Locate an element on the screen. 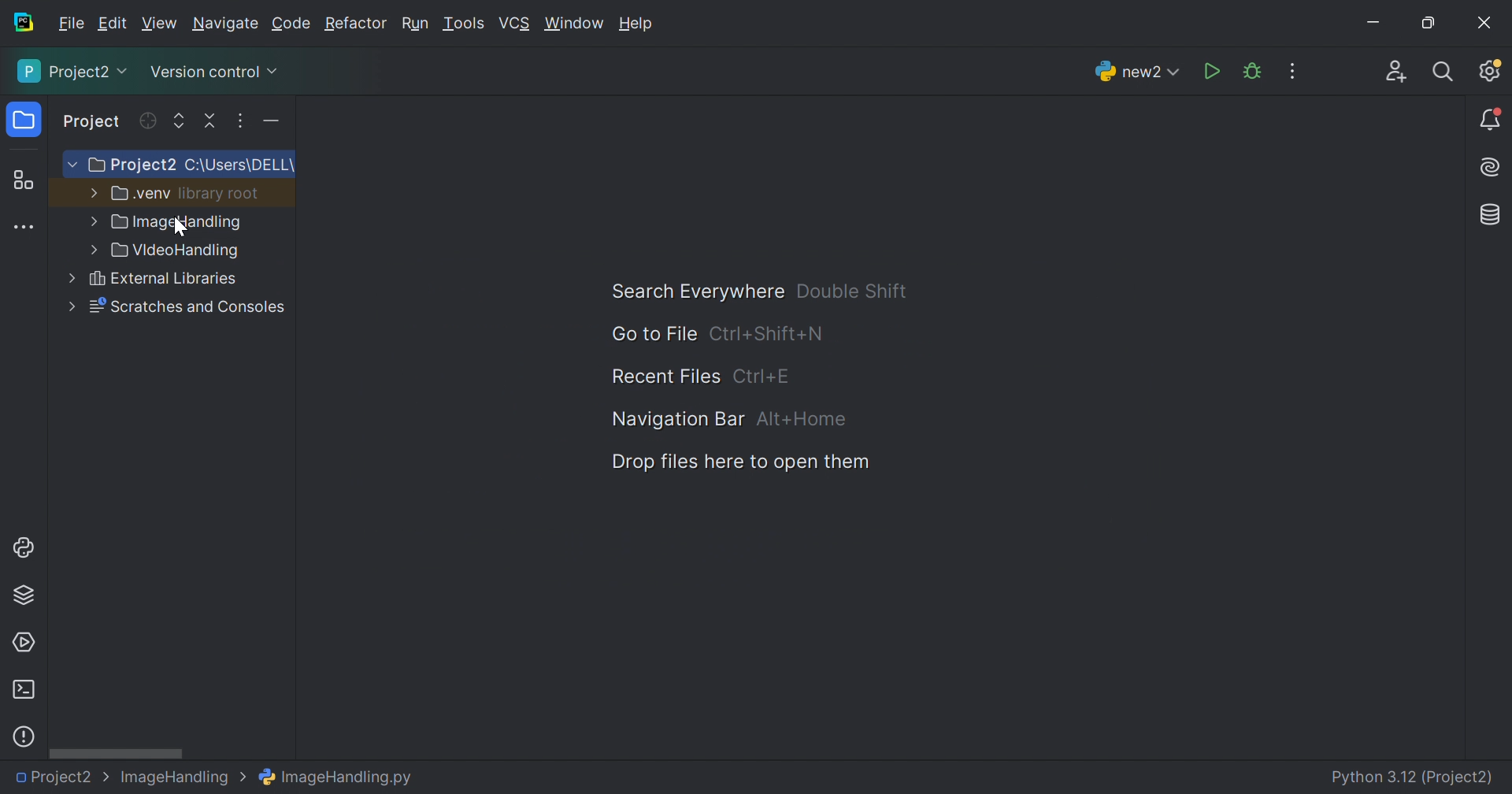 The image size is (1512, 794). VCS is located at coordinates (516, 24).